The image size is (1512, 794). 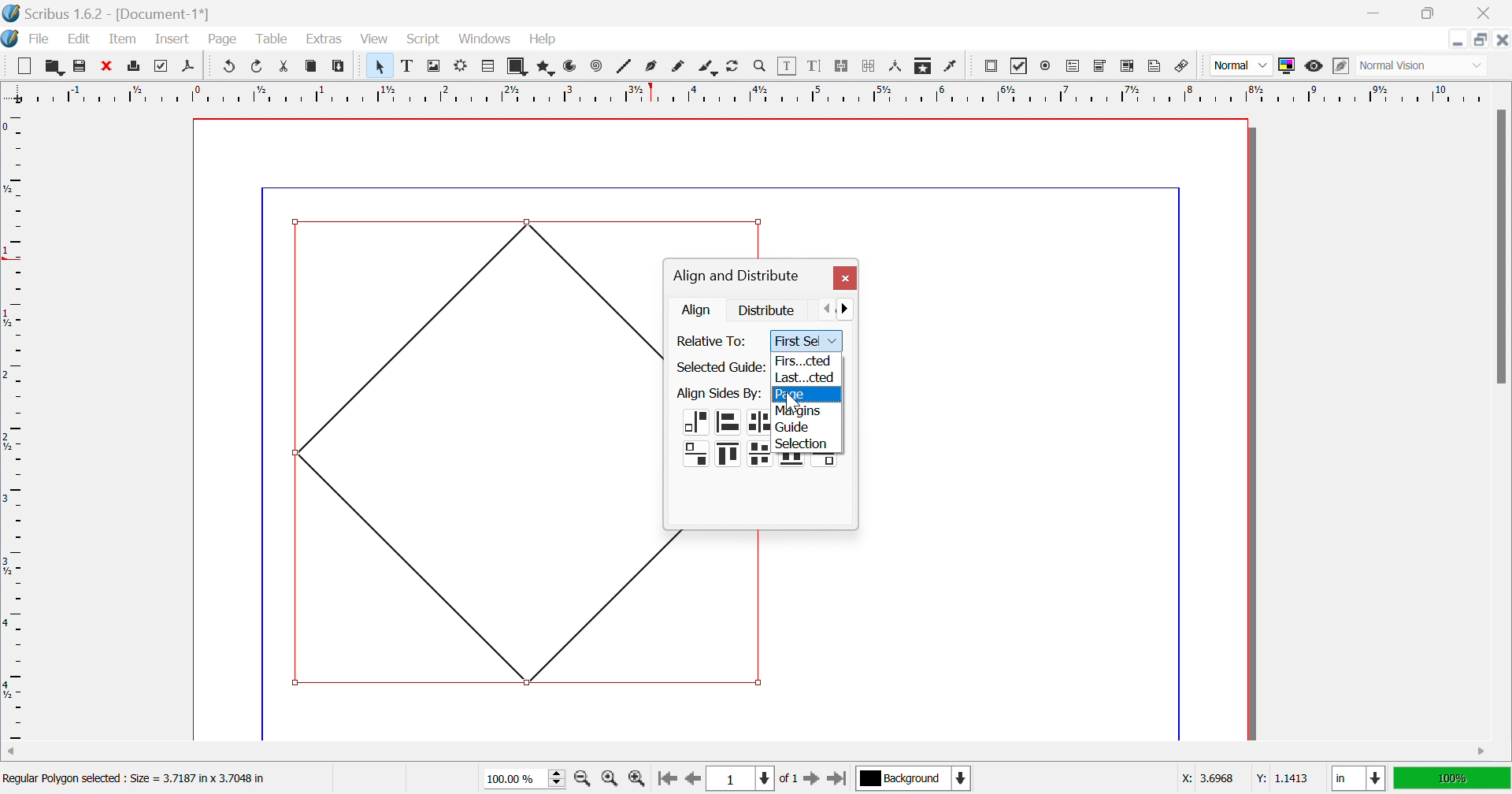 What do you see at coordinates (714, 341) in the screenshot?
I see `Relative To:` at bounding box center [714, 341].